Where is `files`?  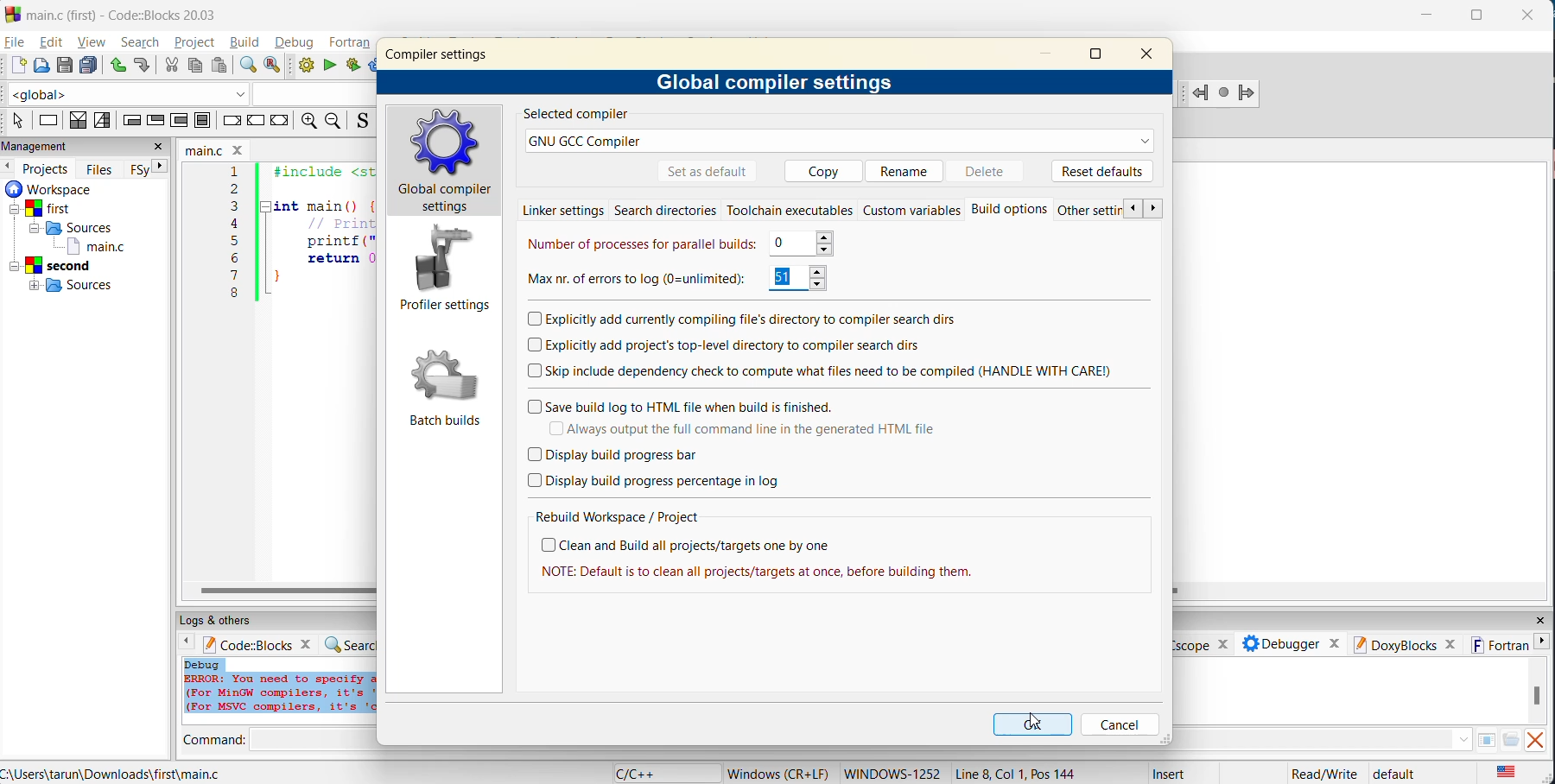 files is located at coordinates (103, 168).